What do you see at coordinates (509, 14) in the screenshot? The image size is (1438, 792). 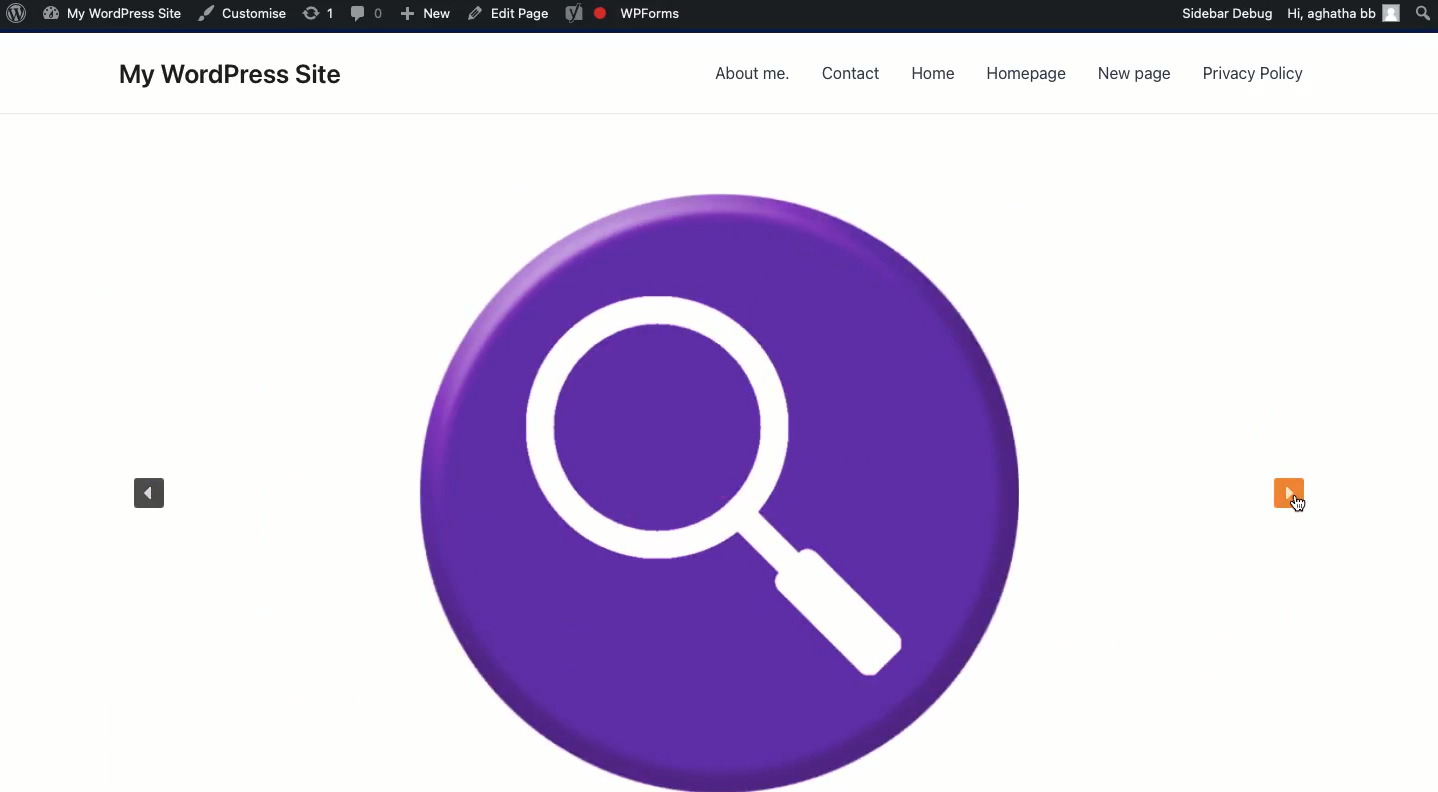 I see `edit page` at bounding box center [509, 14].